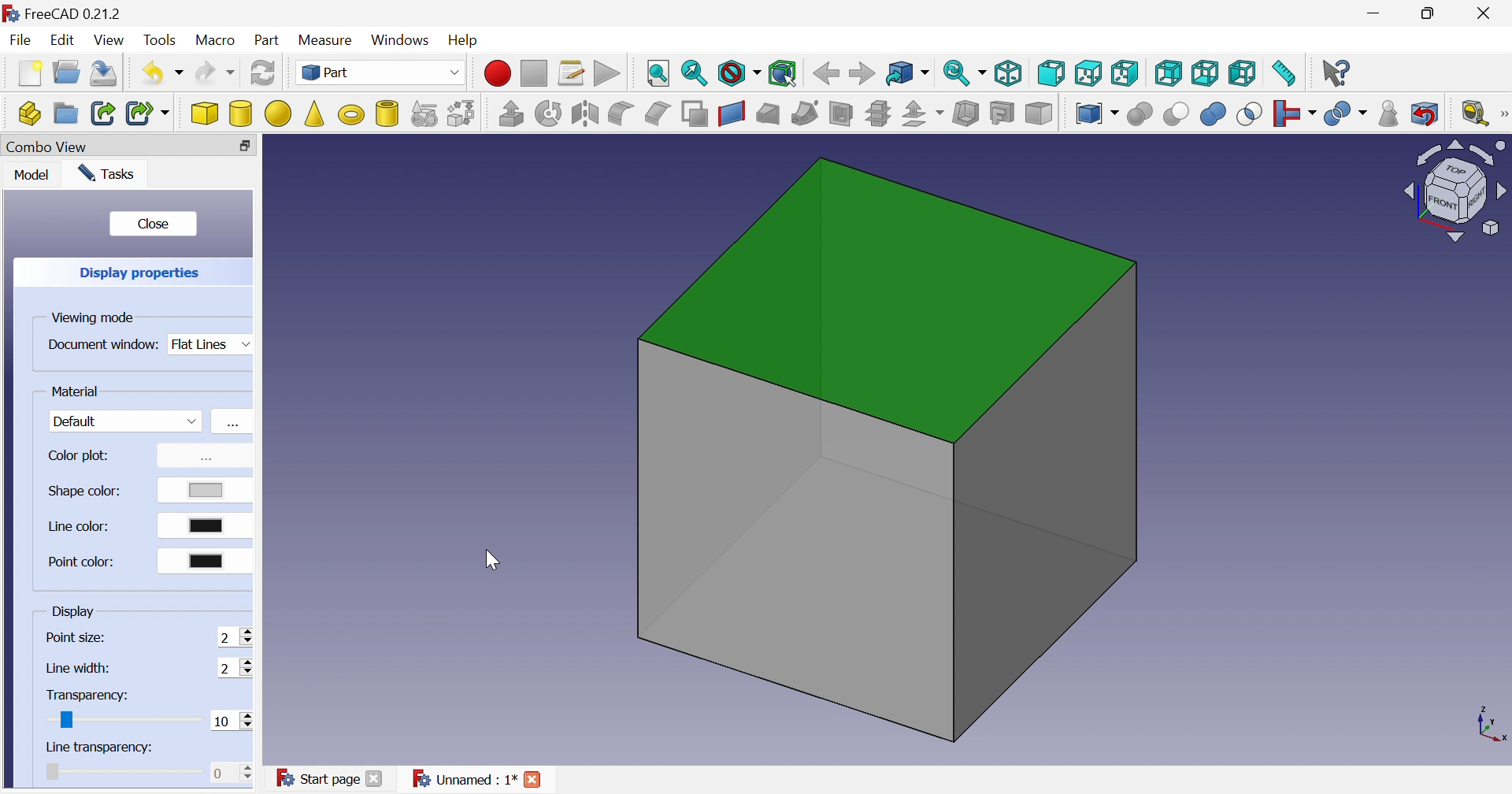 Image resolution: width=1512 pixels, height=794 pixels. I want to click on New, so click(31, 73).